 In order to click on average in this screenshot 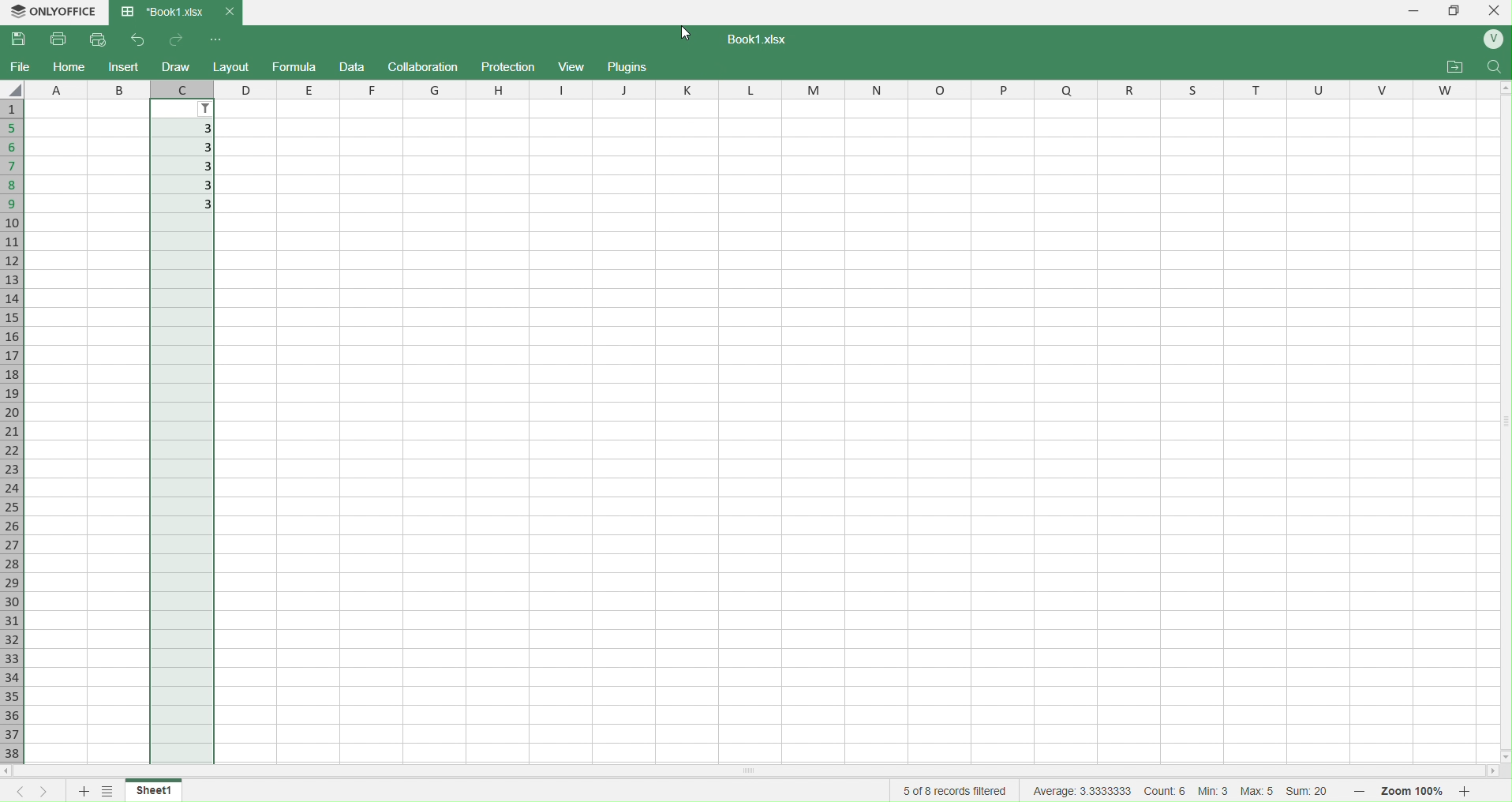, I will do `click(1083, 790)`.